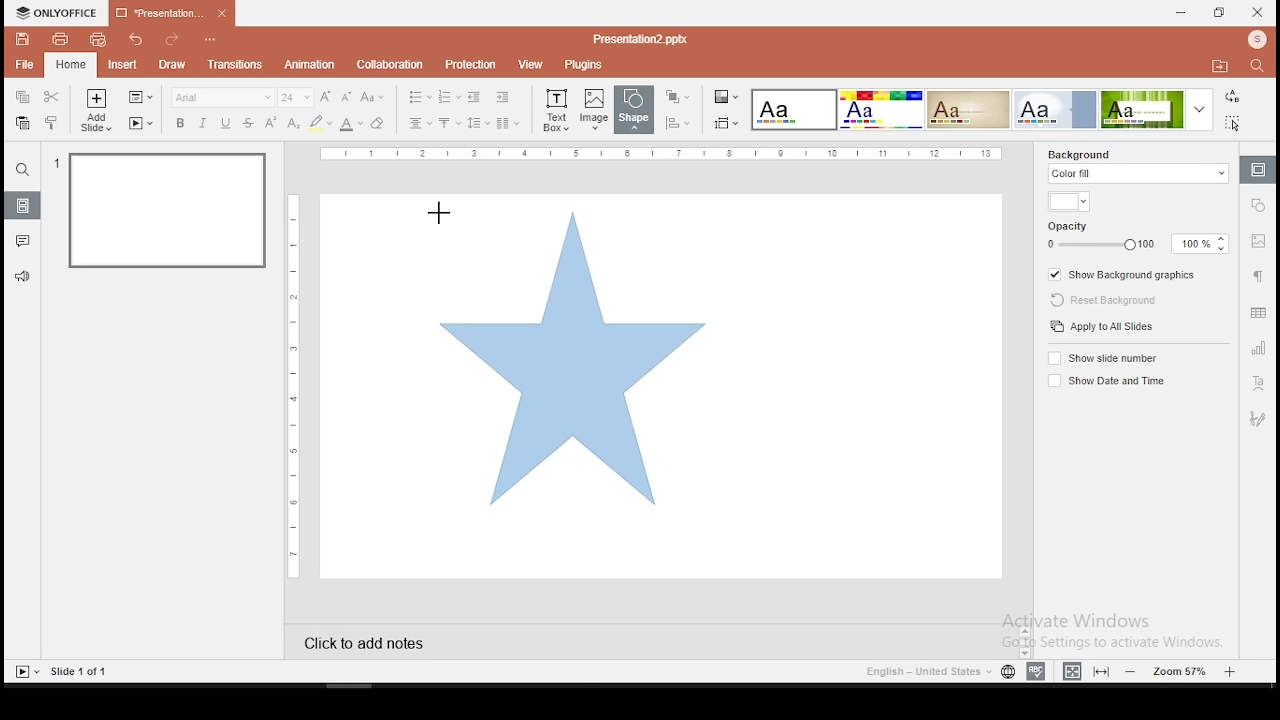  What do you see at coordinates (662, 154) in the screenshot?
I see `vertical scale` at bounding box center [662, 154].